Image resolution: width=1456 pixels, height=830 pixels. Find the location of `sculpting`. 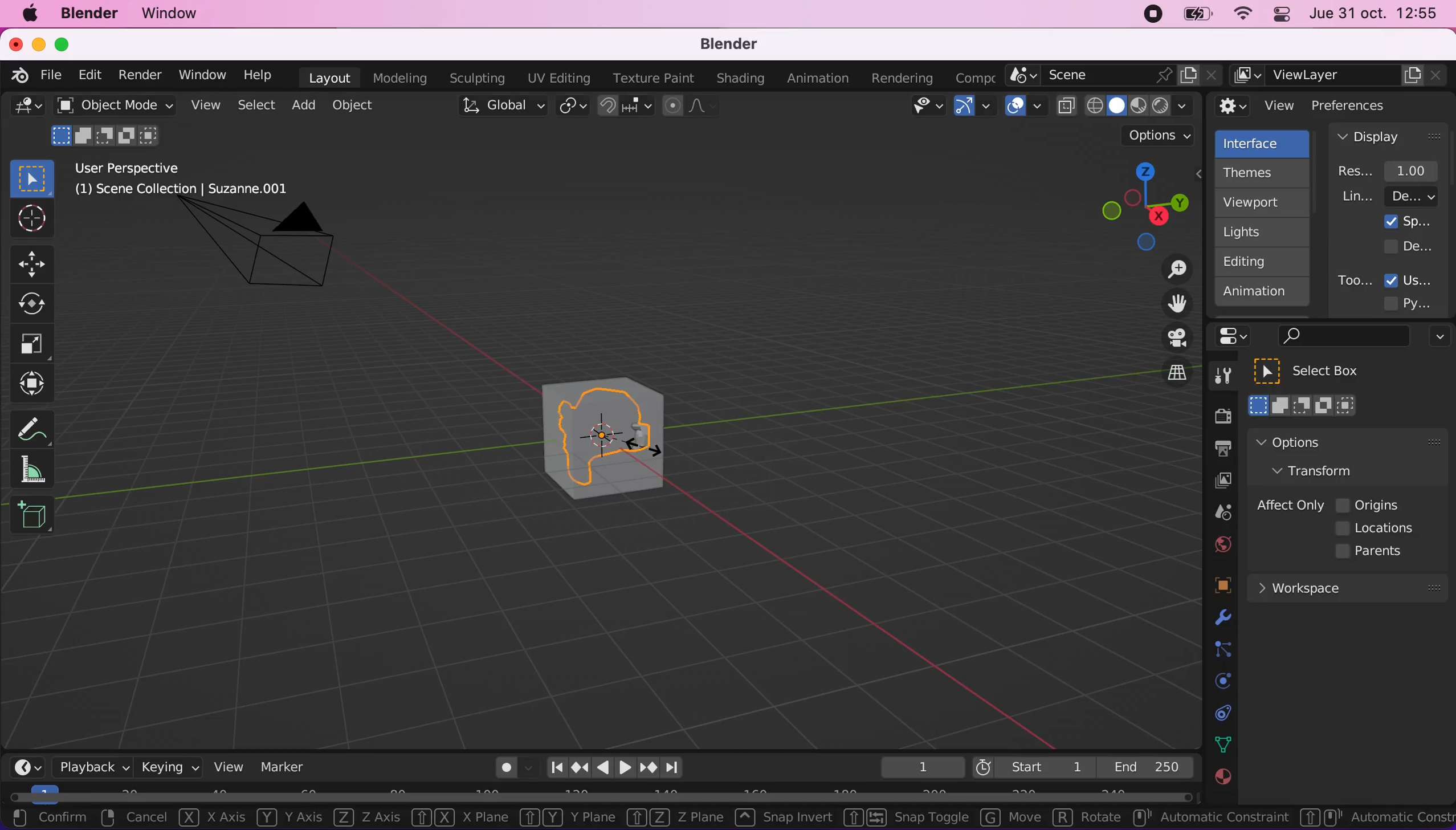

sculpting is located at coordinates (474, 78).